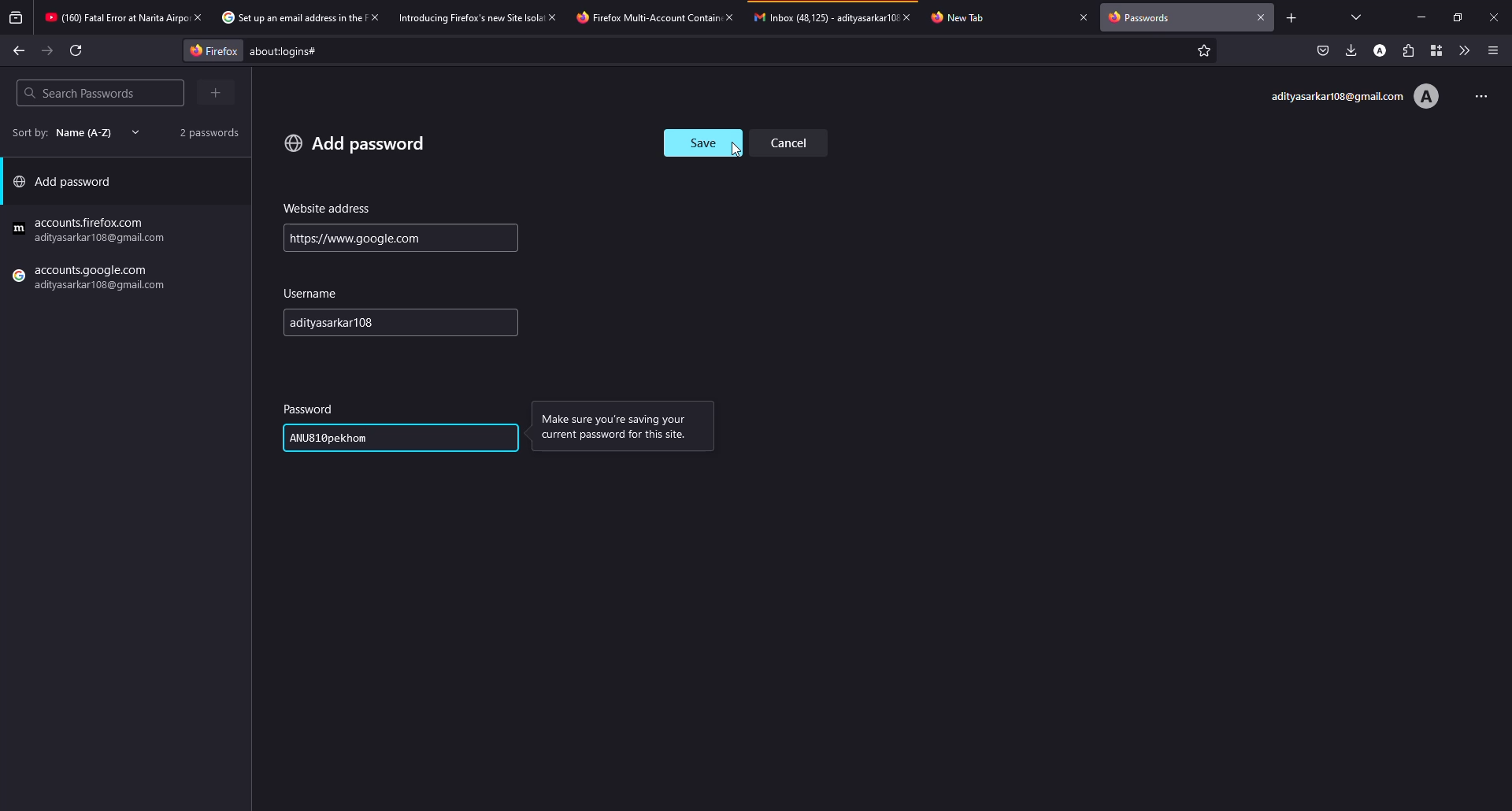 The height and width of the screenshot is (811, 1512). What do you see at coordinates (92, 231) in the screenshot?
I see `google` at bounding box center [92, 231].